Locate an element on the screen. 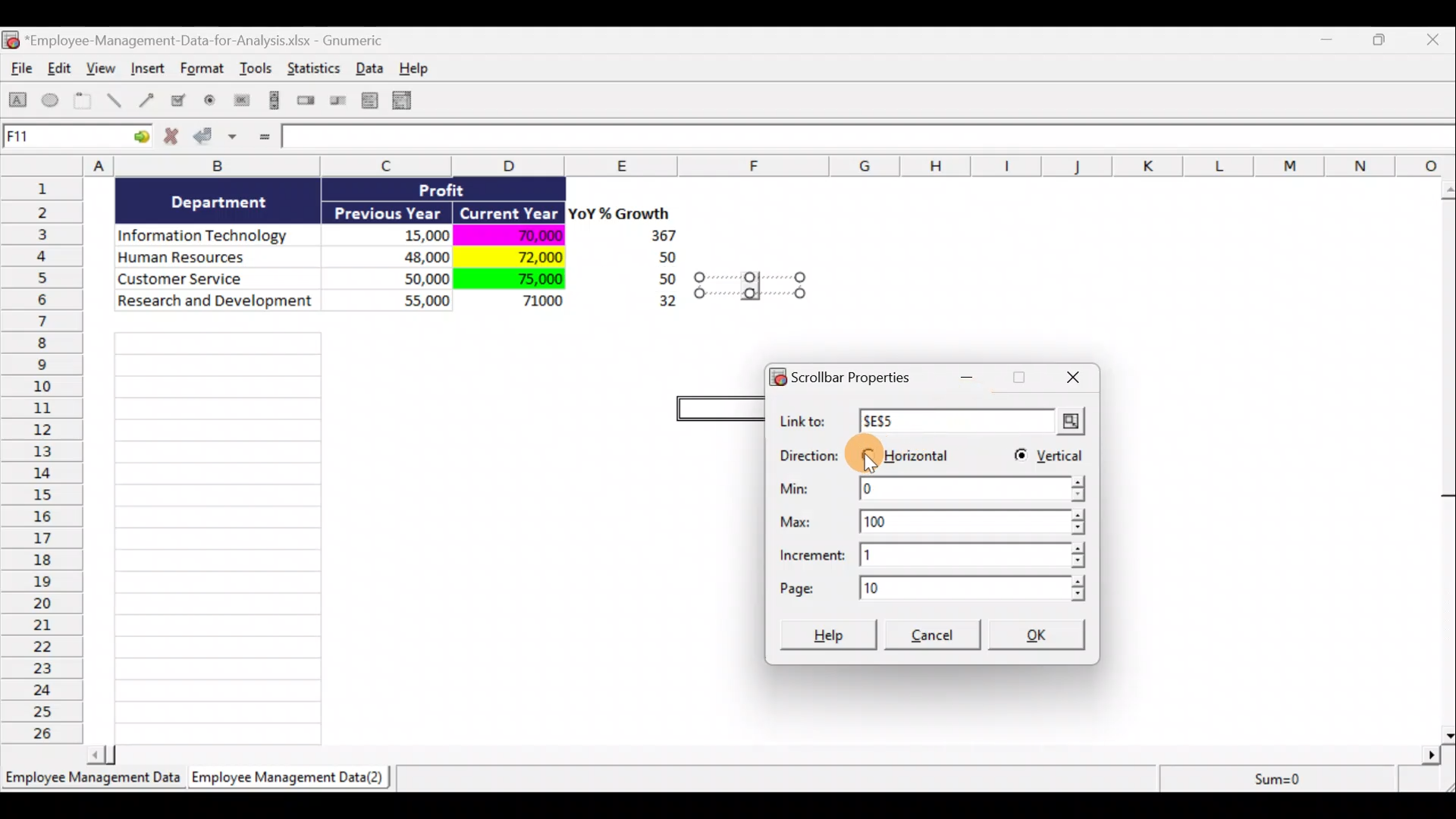 This screenshot has height=819, width=1456. Enter formula is located at coordinates (262, 138).